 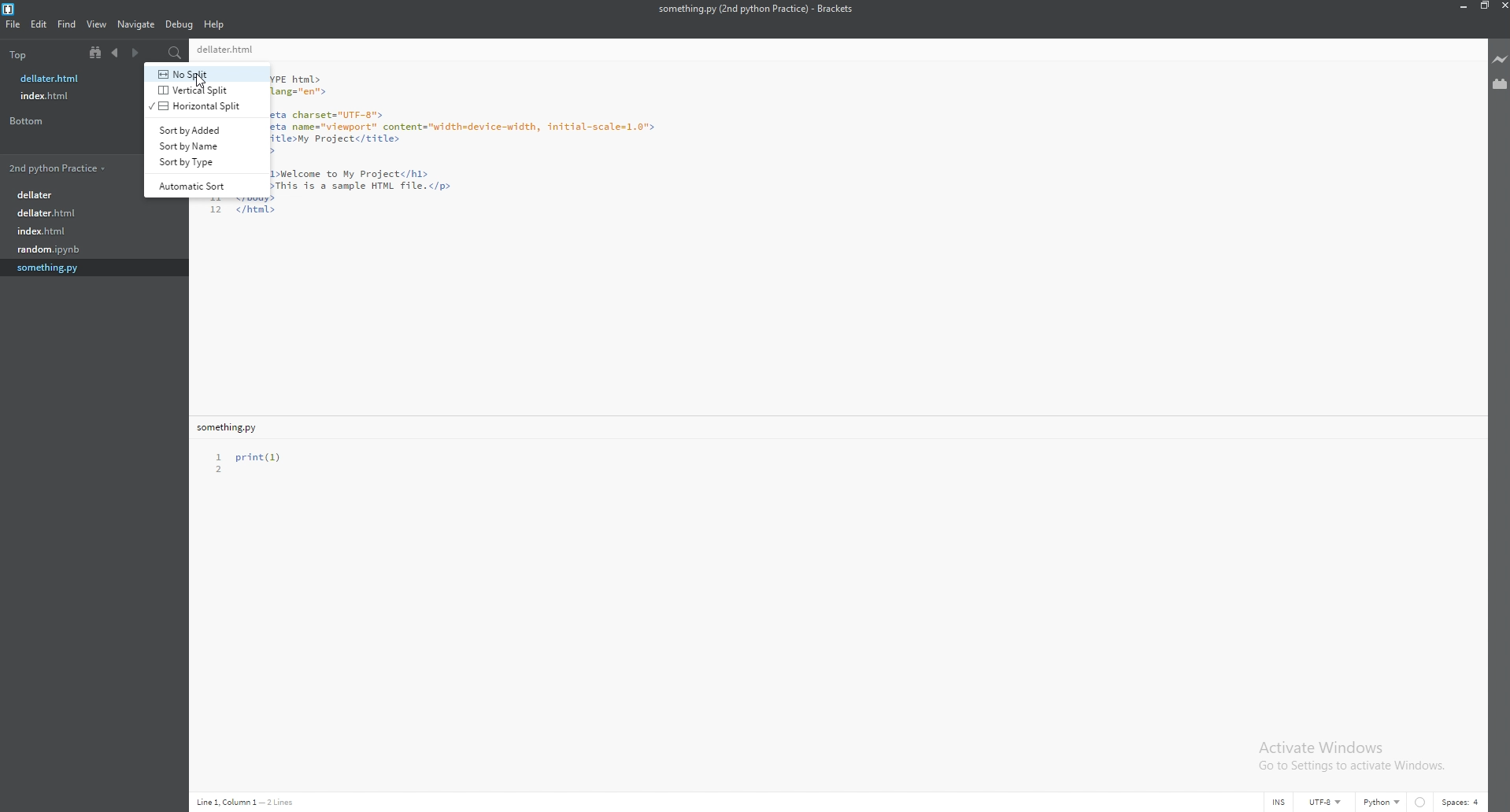 I want to click on file, so click(x=81, y=268).